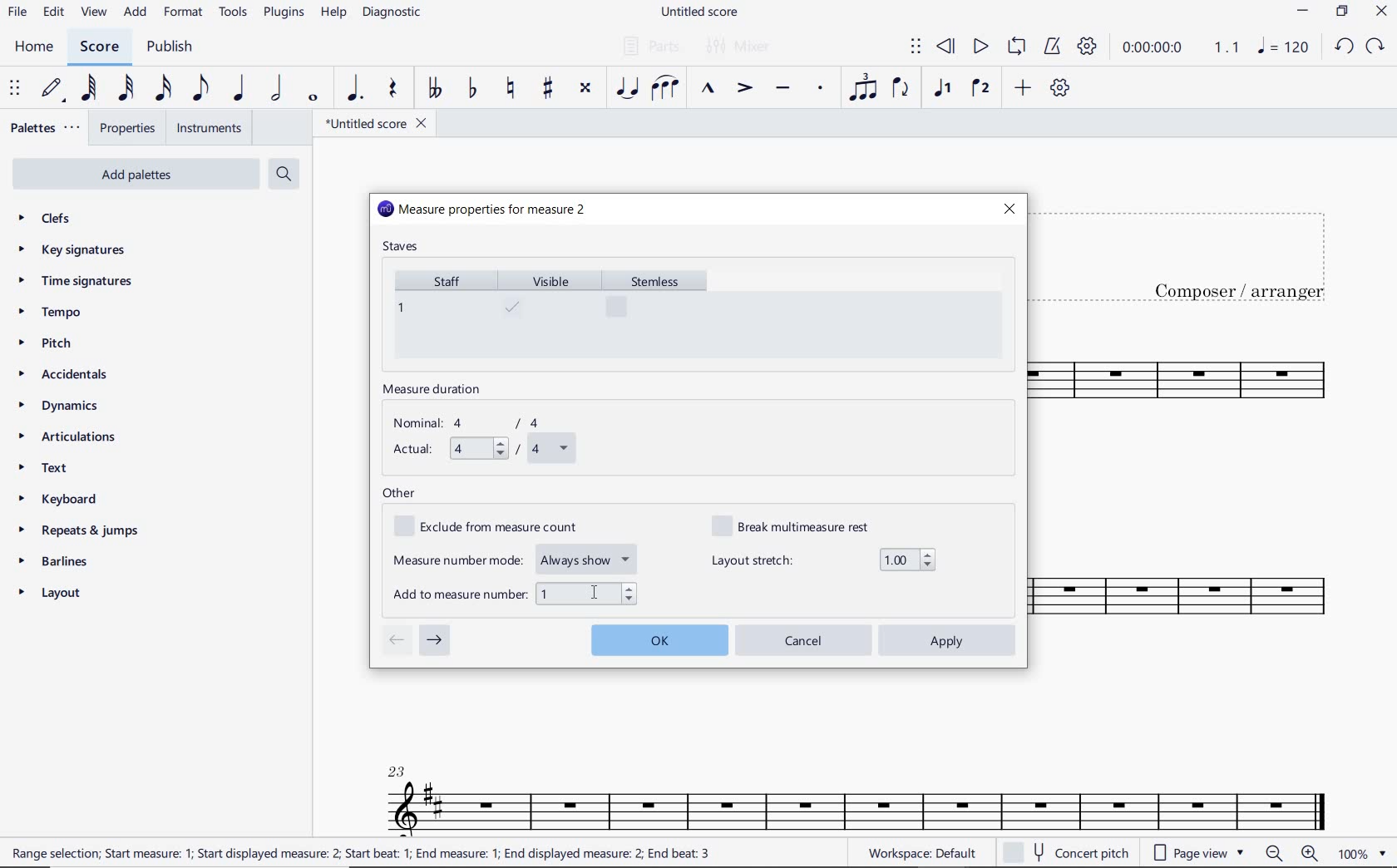 The image size is (1397, 868). I want to click on STACCATO, so click(820, 89).